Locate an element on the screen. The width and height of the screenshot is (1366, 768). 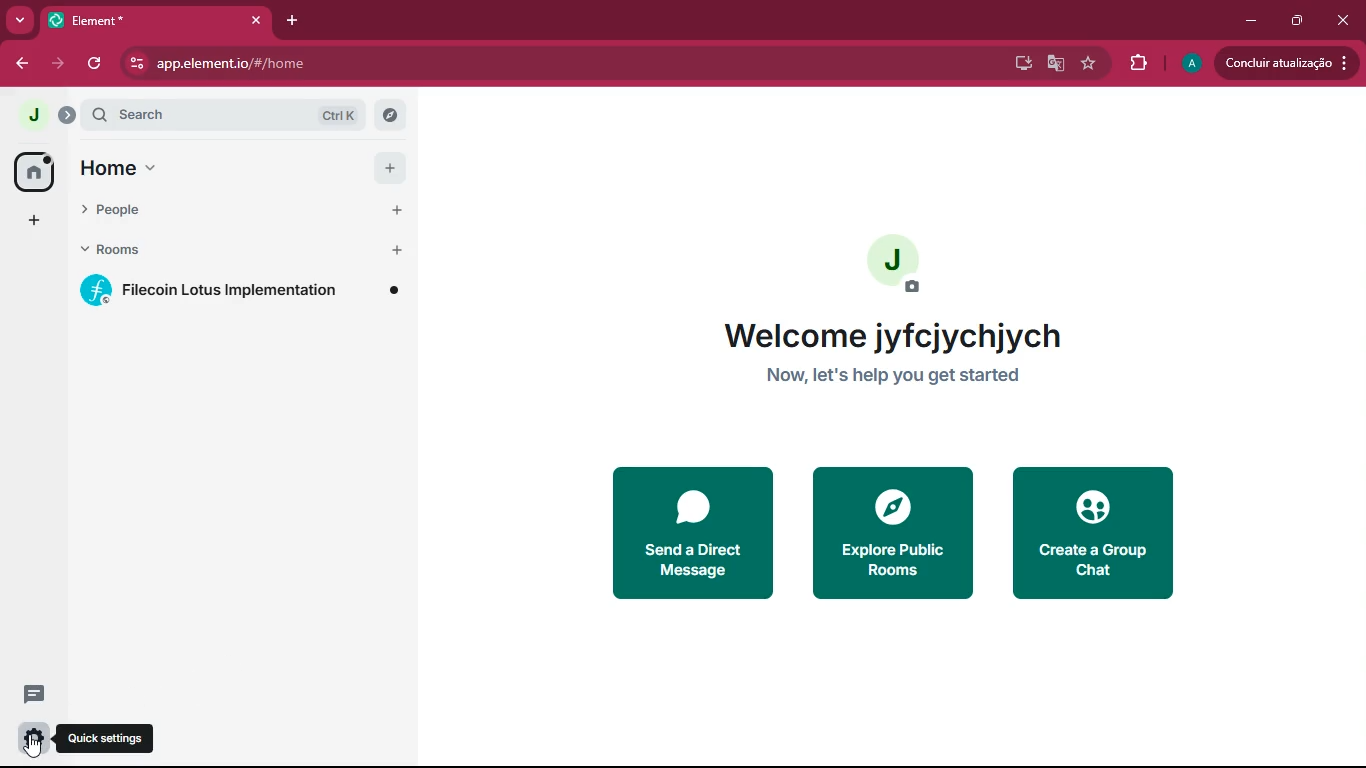
rooms is located at coordinates (134, 251).